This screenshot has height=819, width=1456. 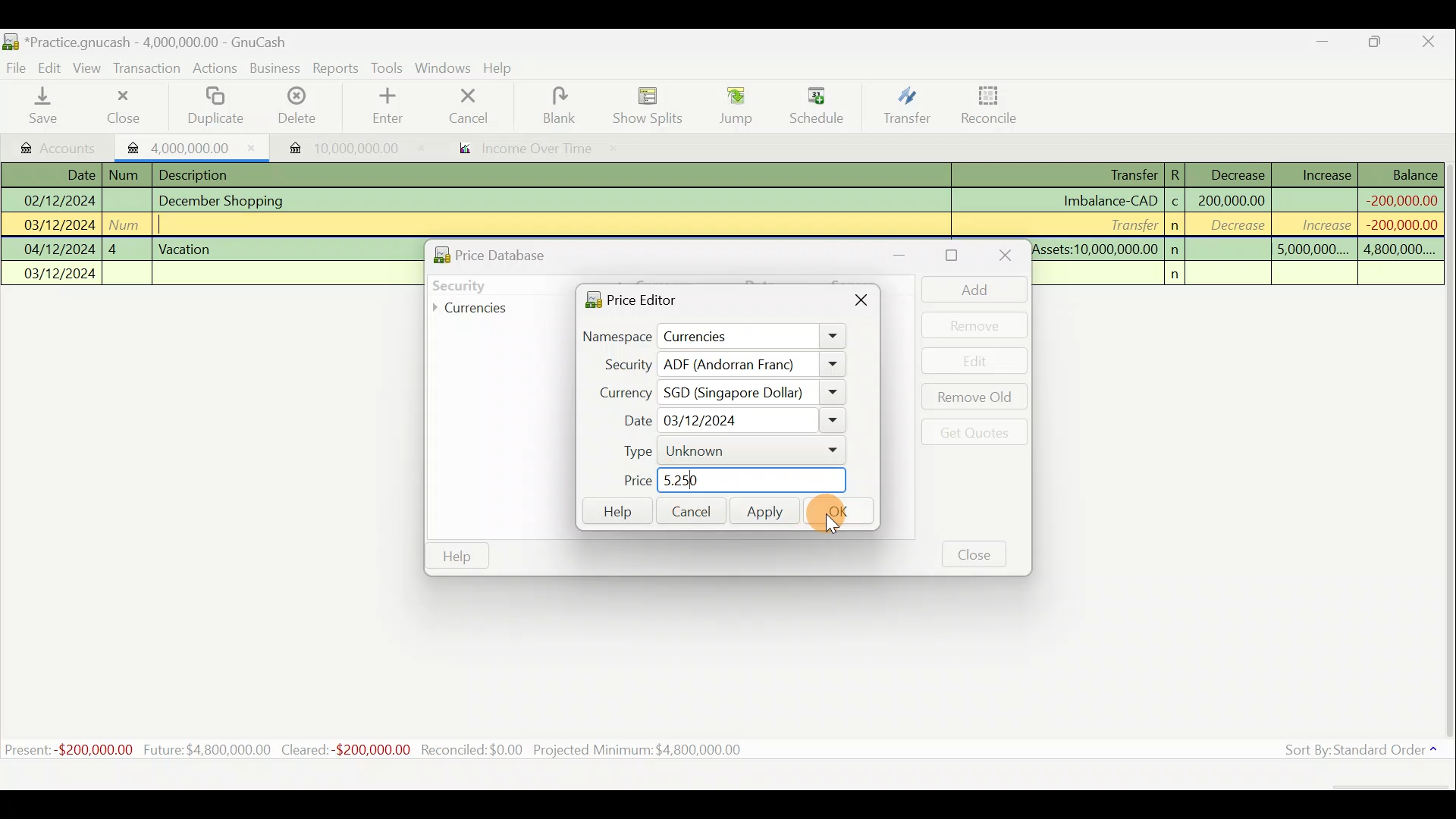 I want to click on Reconcile, so click(x=984, y=105).